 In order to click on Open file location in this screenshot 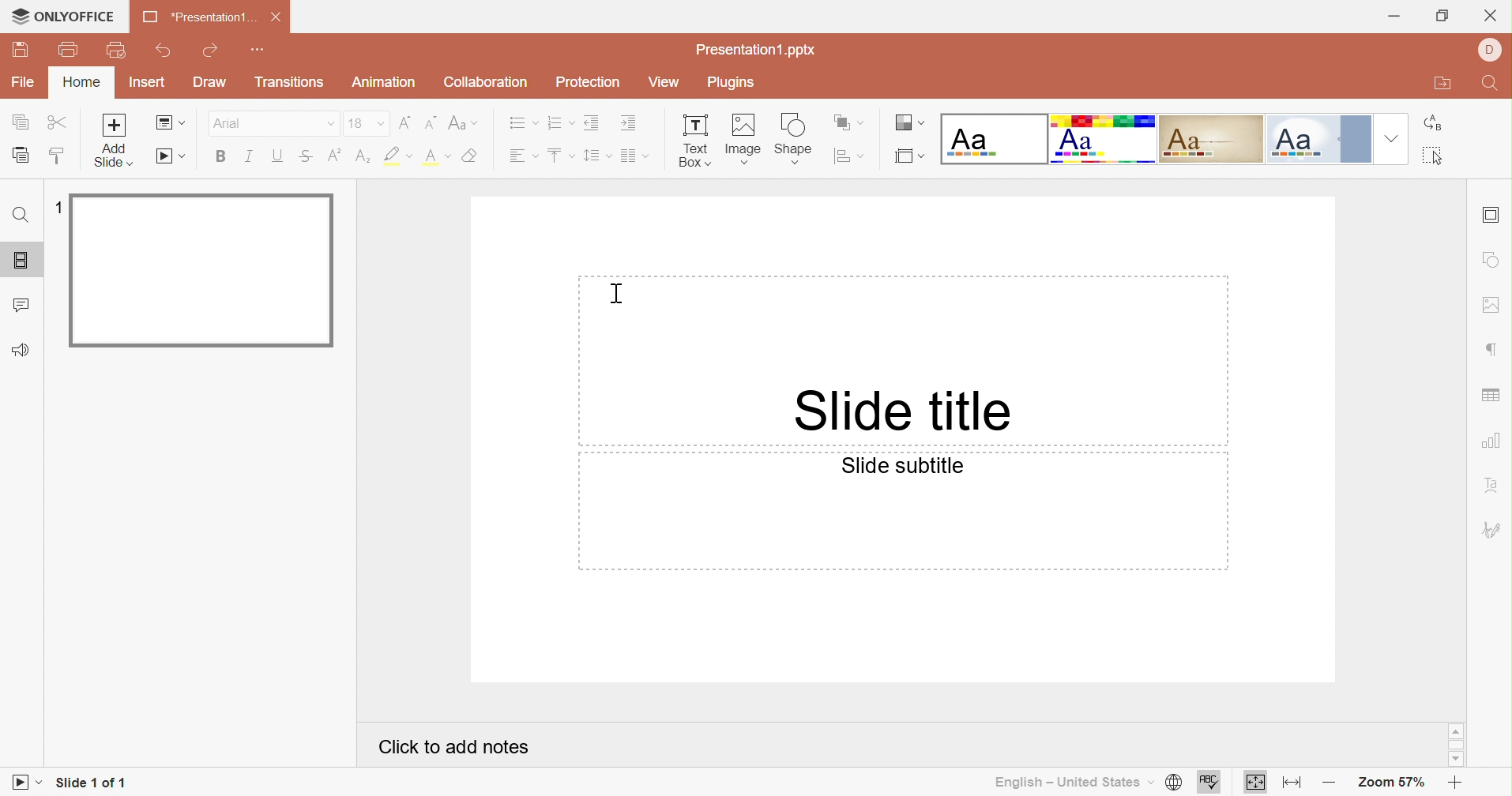, I will do `click(1446, 86)`.